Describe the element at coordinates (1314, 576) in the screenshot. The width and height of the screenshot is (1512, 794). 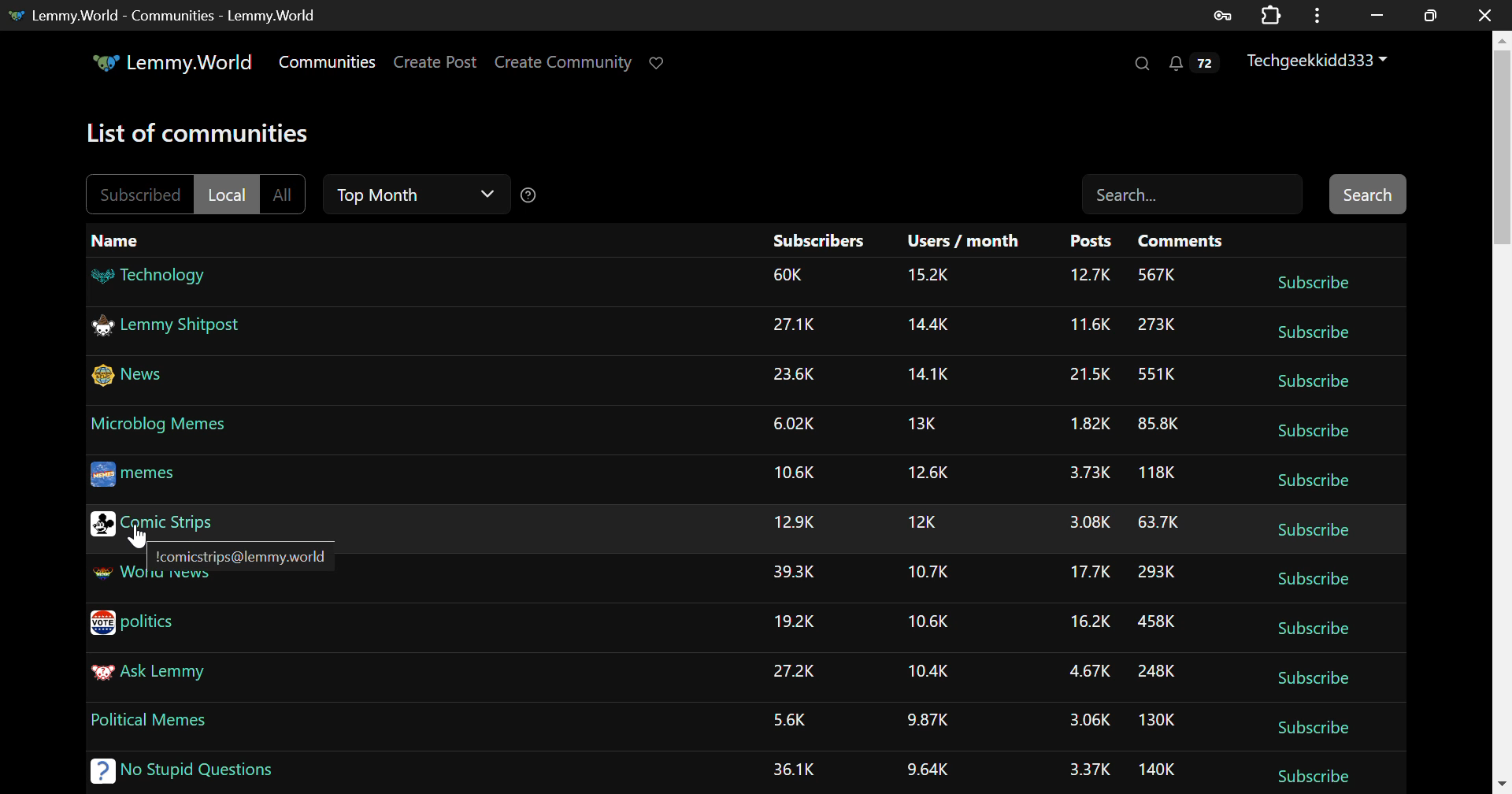
I see `Subscribe` at that location.